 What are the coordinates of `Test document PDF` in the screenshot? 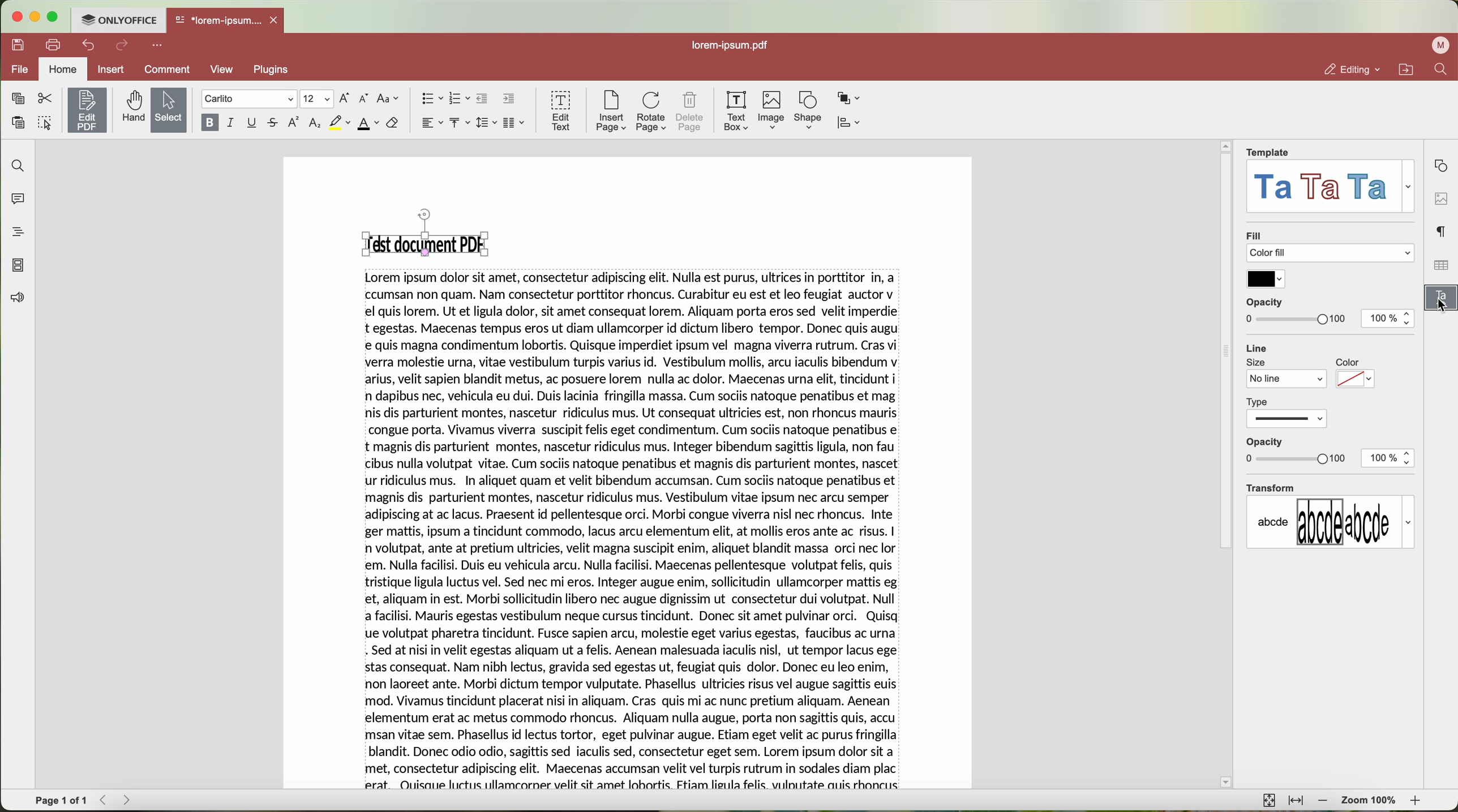 It's located at (429, 233).